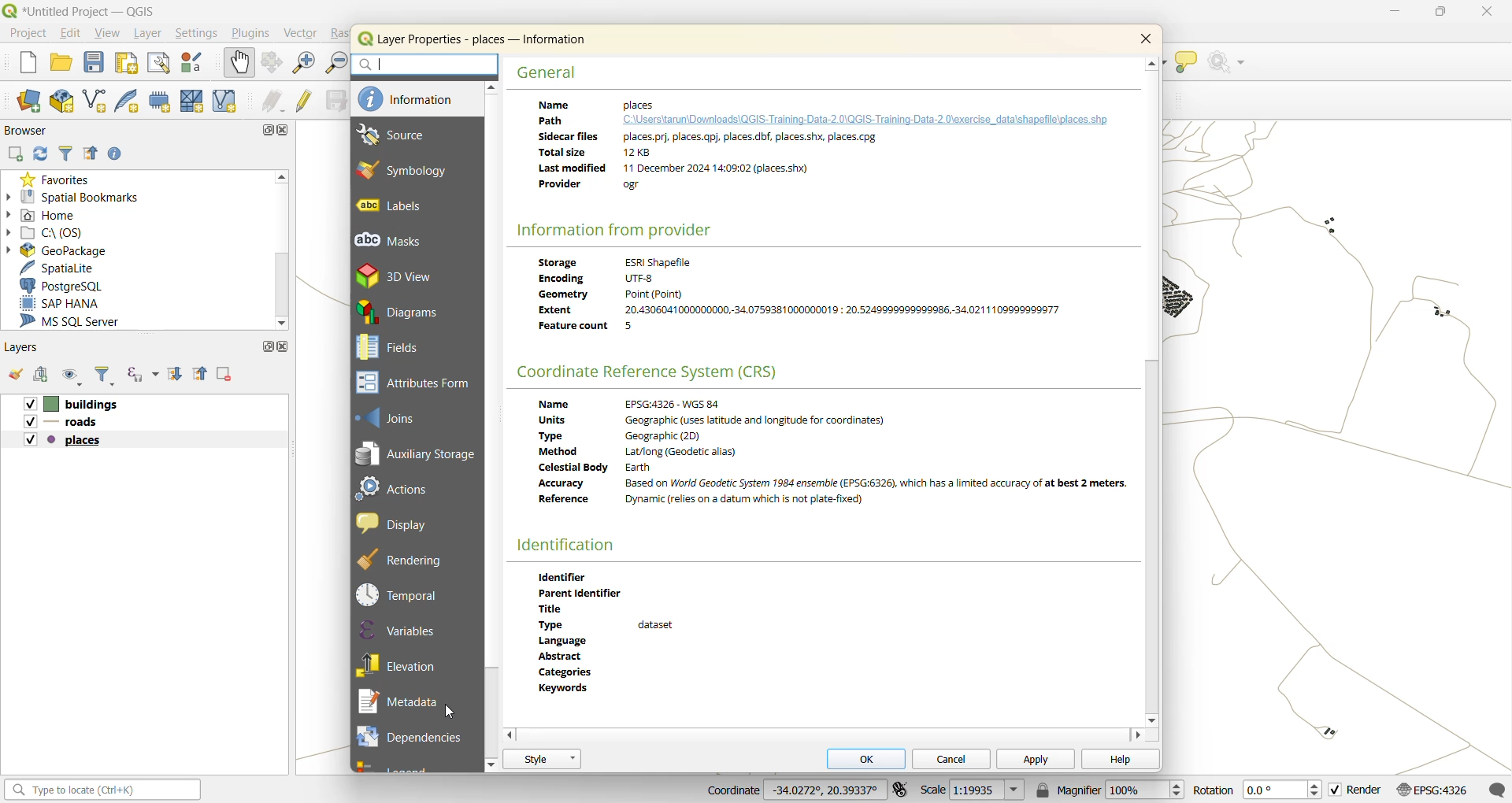  I want to click on search, so click(429, 65).